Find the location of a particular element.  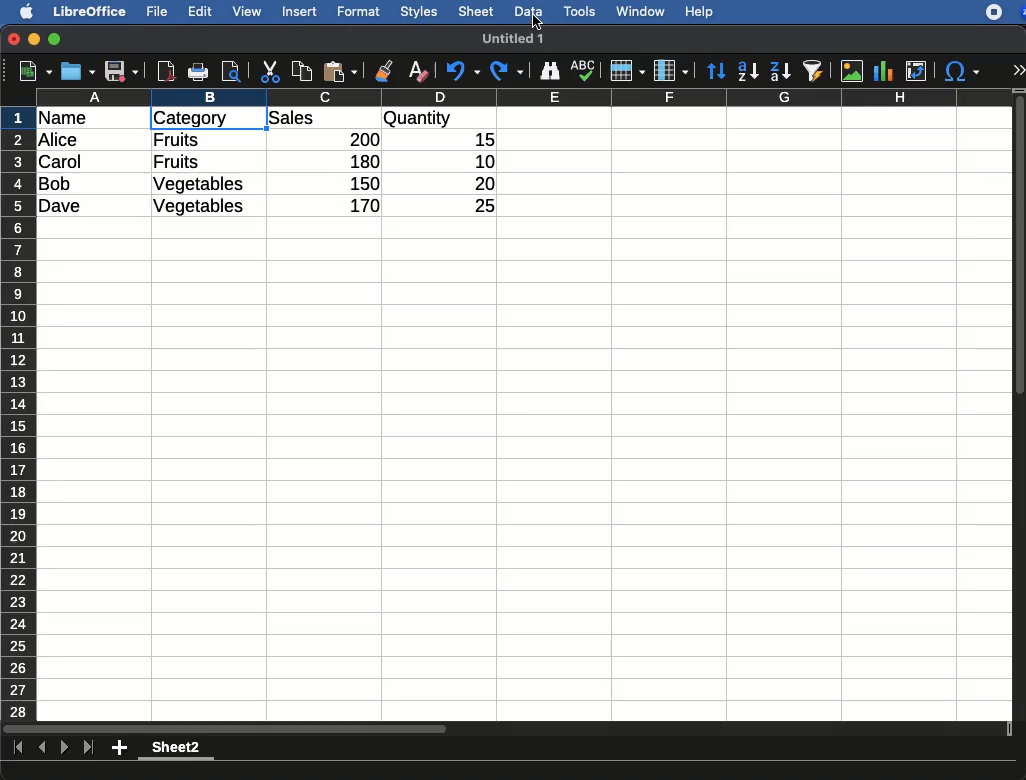

sheet 2 is located at coordinates (176, 750).